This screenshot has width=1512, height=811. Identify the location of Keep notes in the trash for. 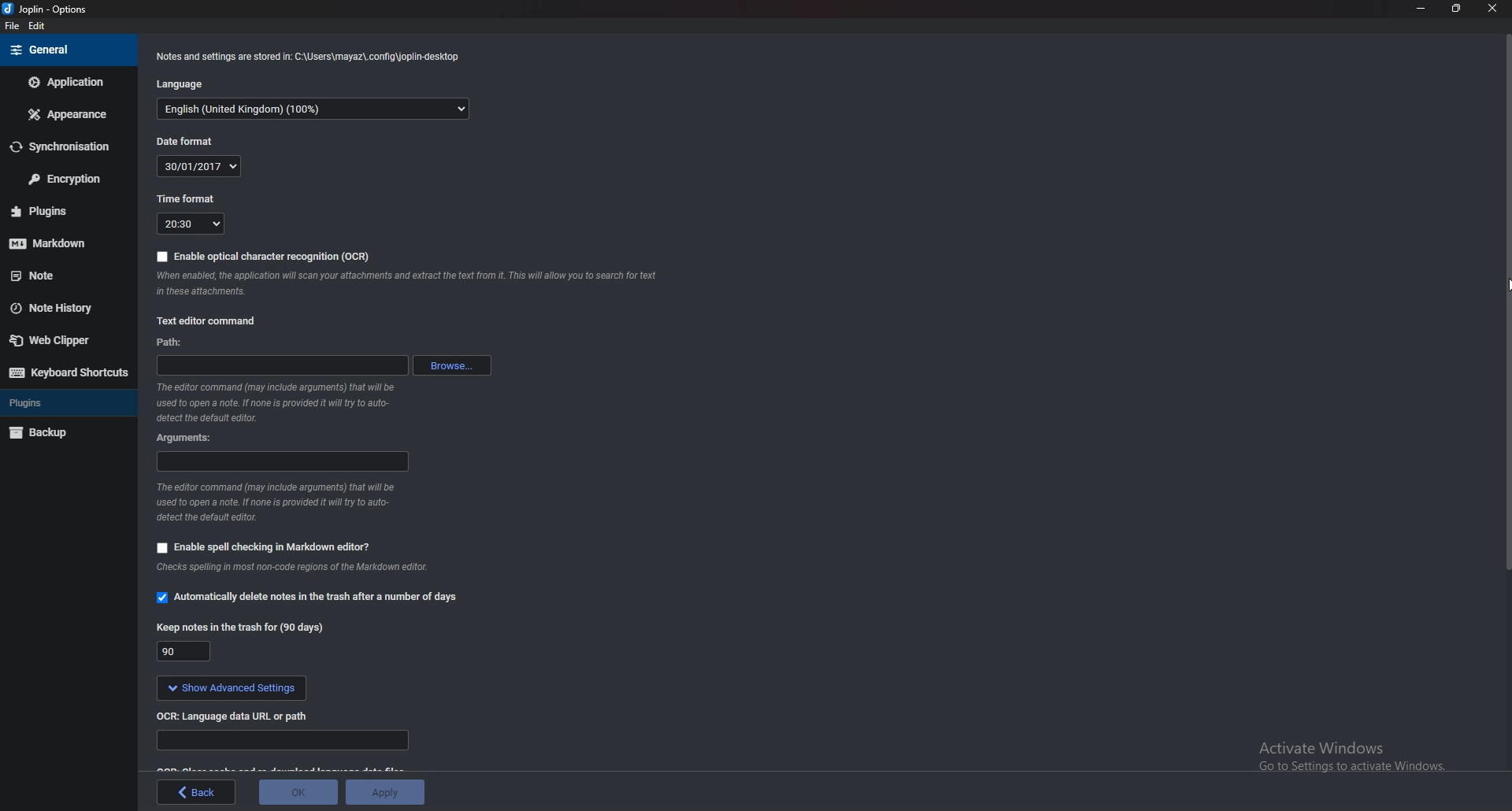
(240, 628).